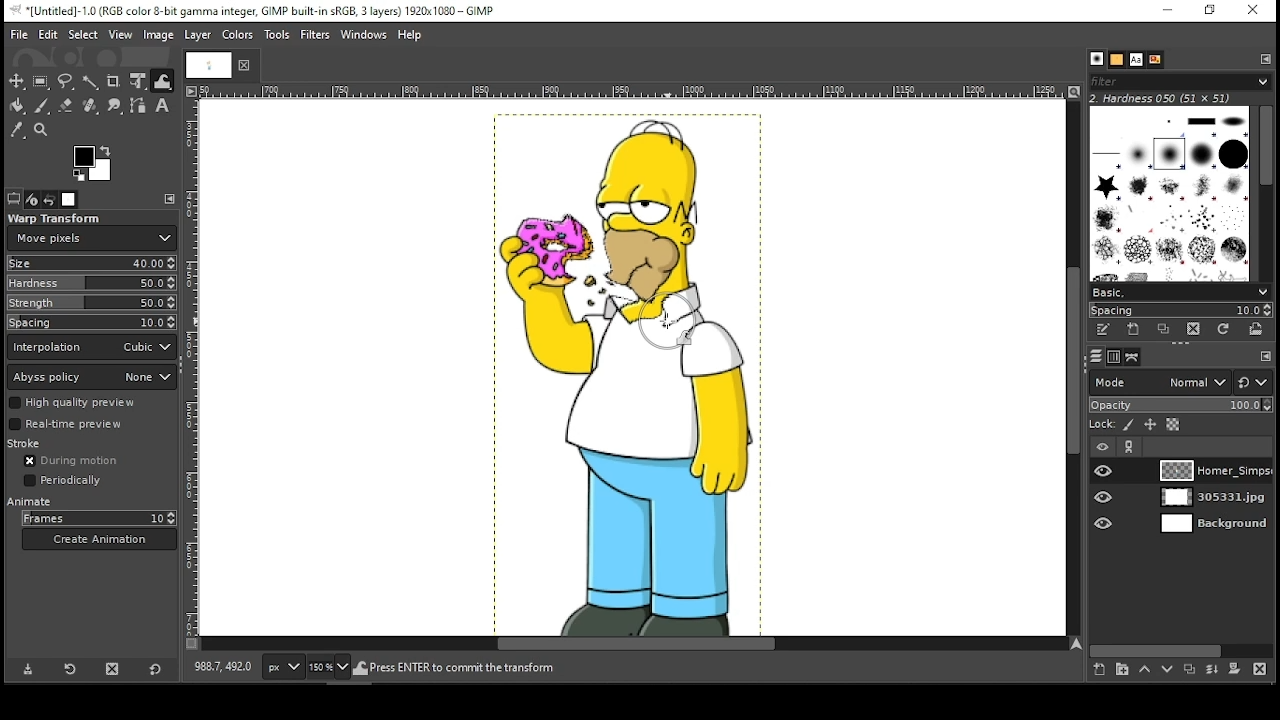  I want to click on scroll bar, so click(636, 644).